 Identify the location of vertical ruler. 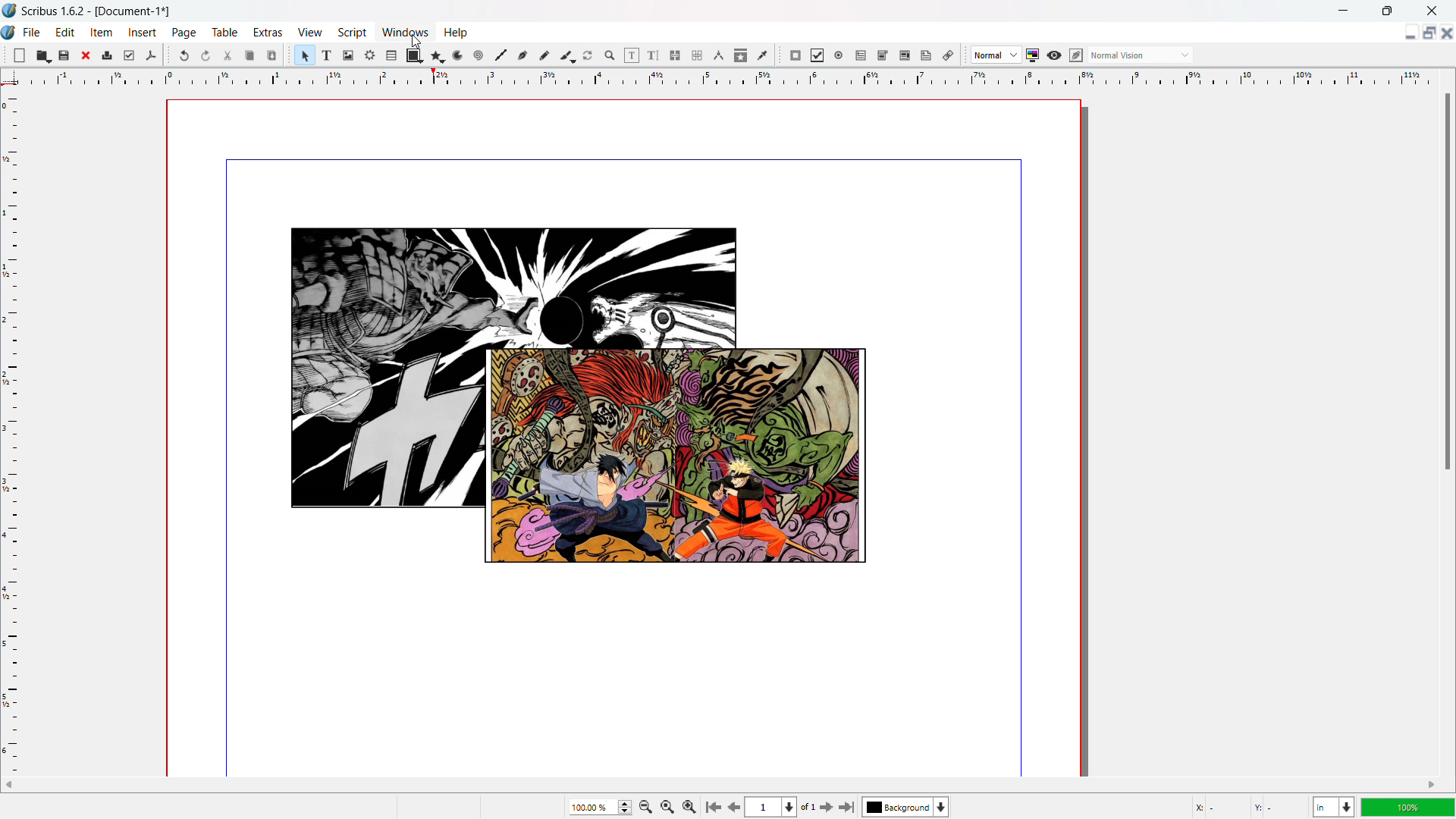
(11, 431).